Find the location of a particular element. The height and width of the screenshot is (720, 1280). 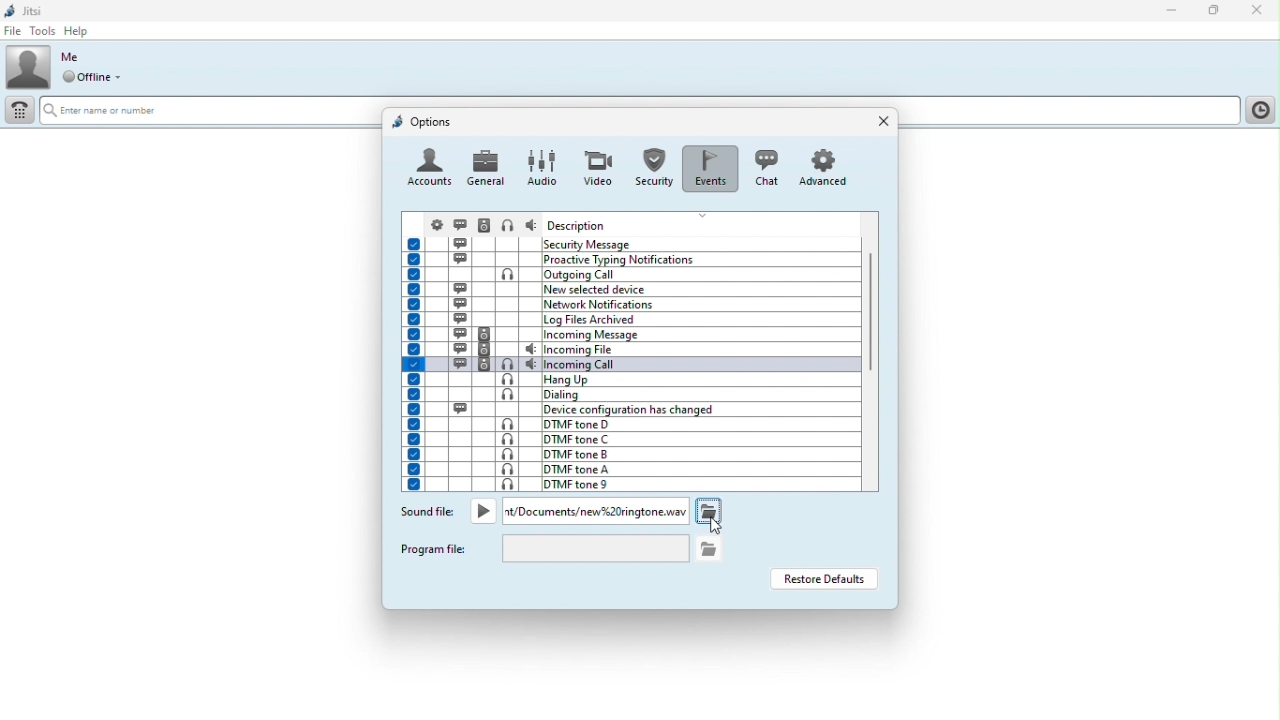

outgoing call is located at coordinates (629, 274).